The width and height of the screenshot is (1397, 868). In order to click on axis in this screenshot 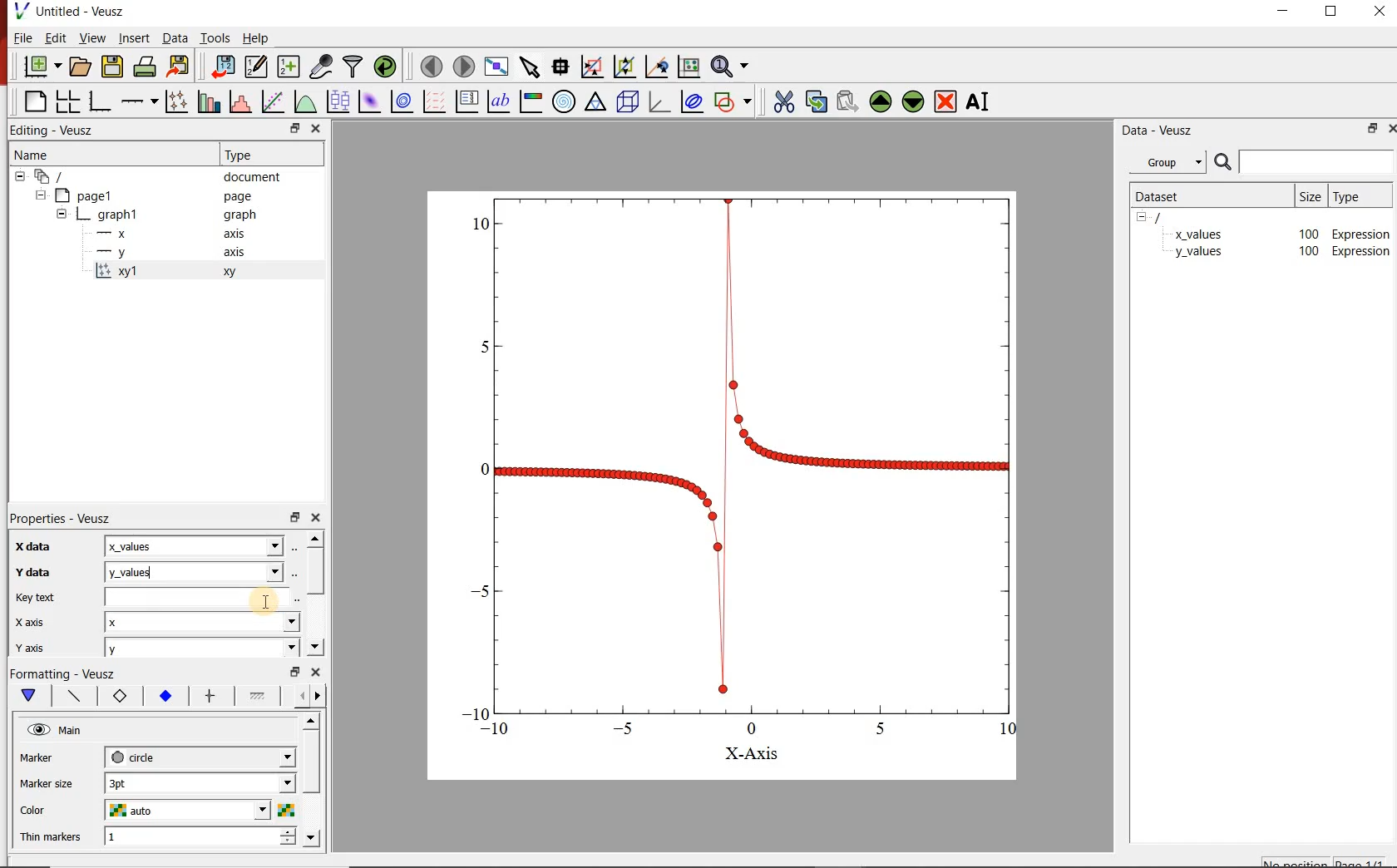, I will do `click(236, 234)`.